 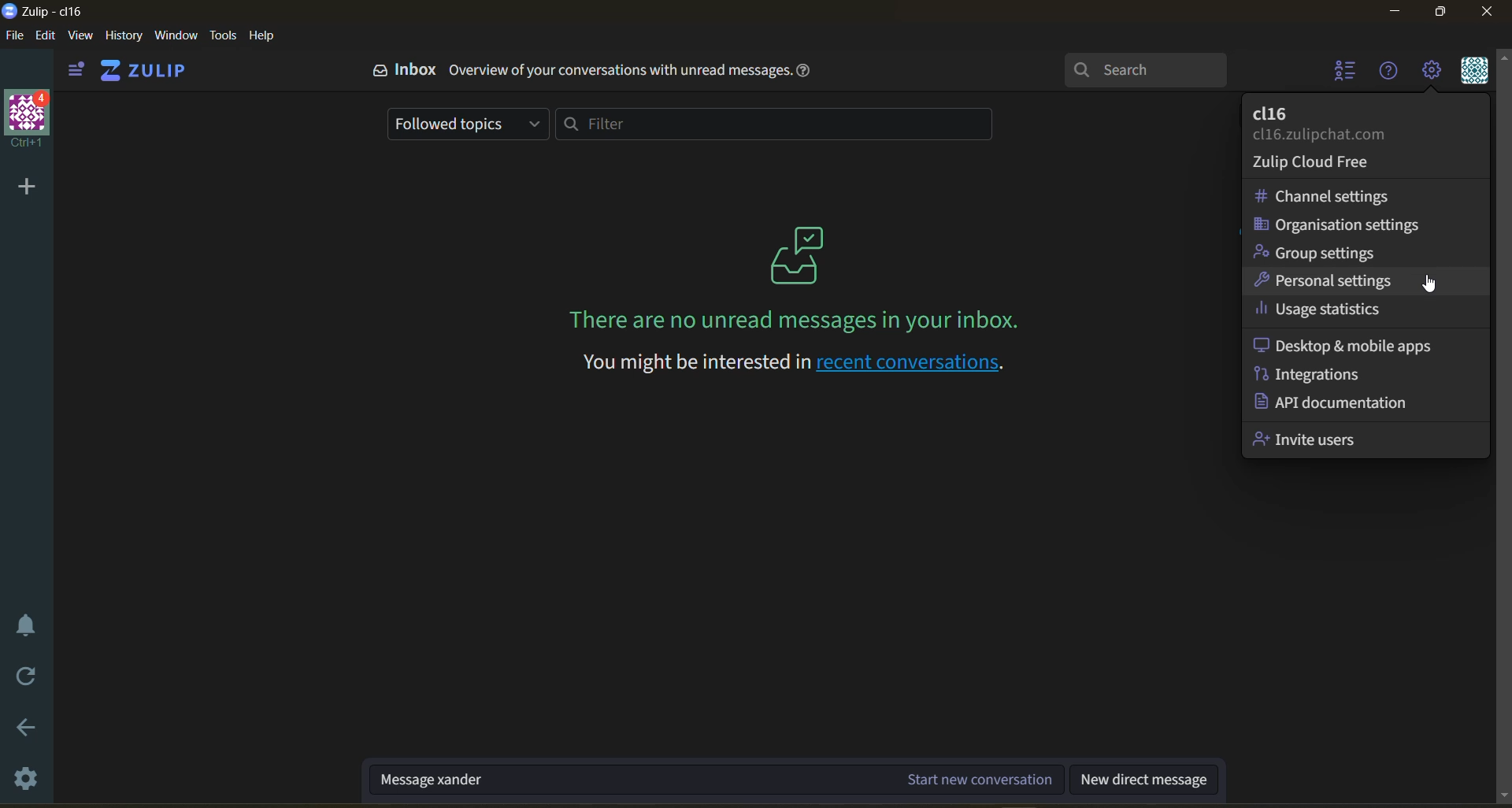 What do you see at coordinates (1390, 72) in the screenshot?
I see `help menu` at bounding box center [1390, 72].